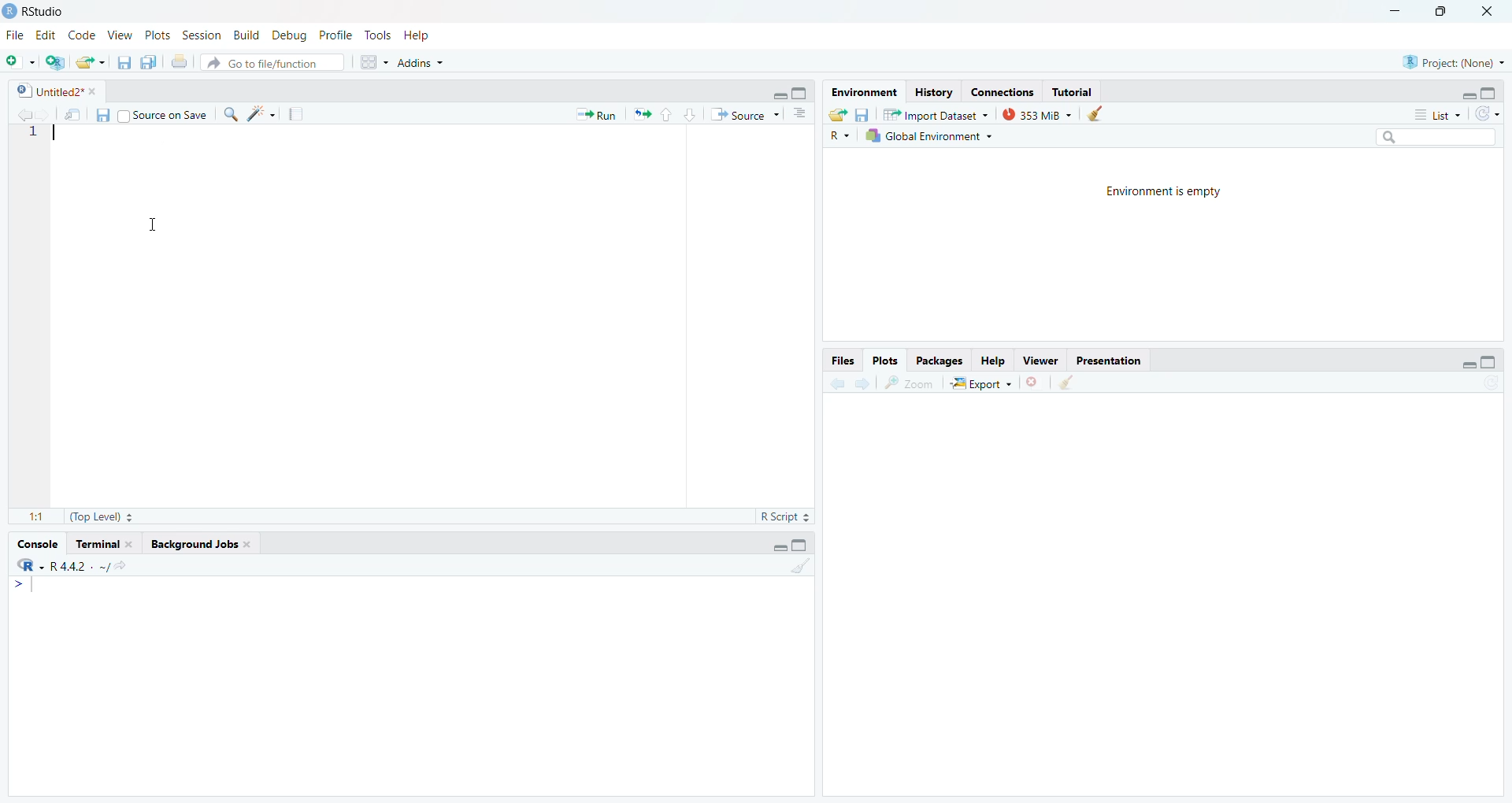  What do you see at coordinates (1450, 64) in the screenshot?
I see ` Project: (None) ~` at bounding box center [1450, 64].